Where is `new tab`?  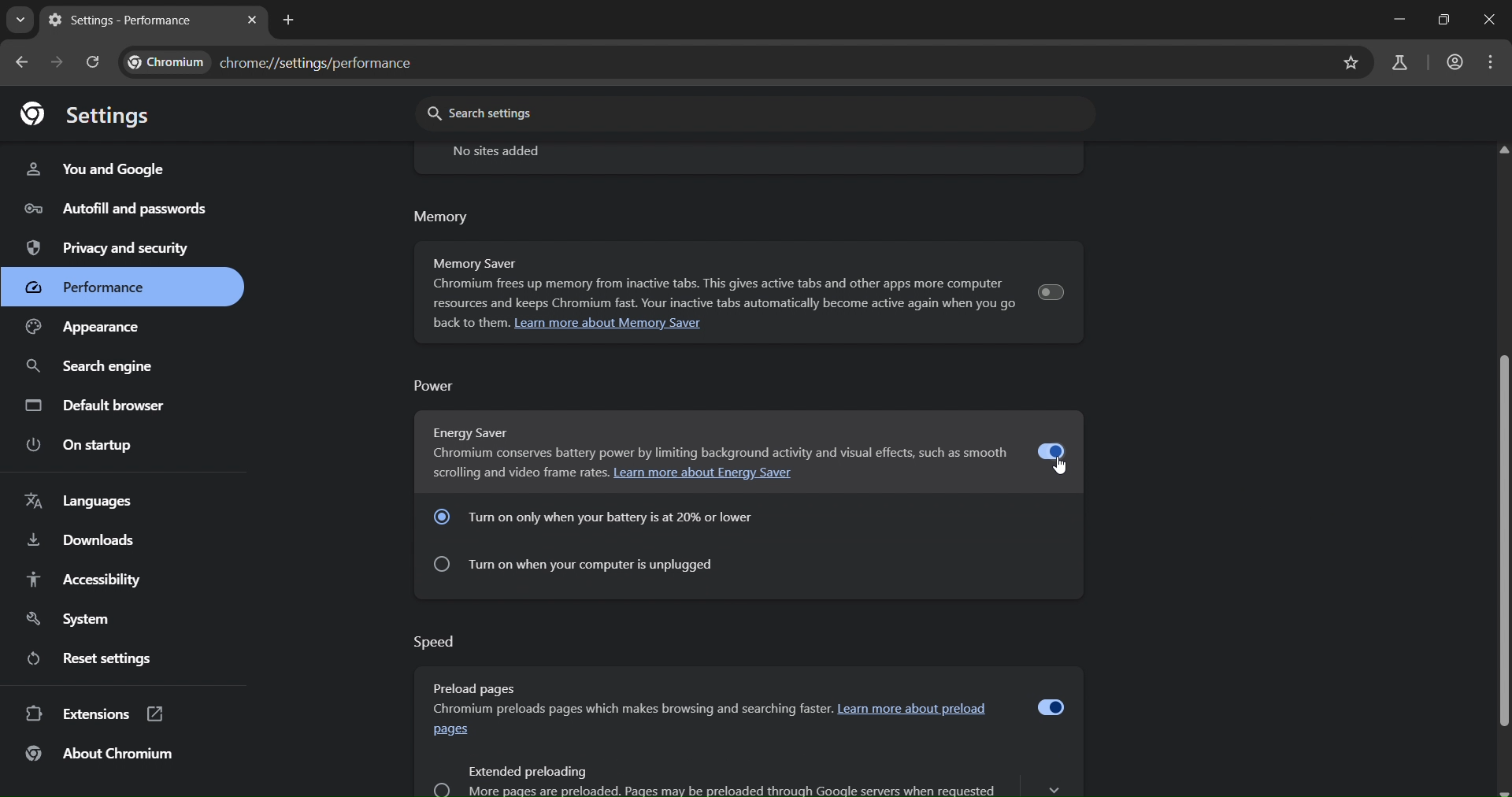
new tab is located at coordinates (288, 21).